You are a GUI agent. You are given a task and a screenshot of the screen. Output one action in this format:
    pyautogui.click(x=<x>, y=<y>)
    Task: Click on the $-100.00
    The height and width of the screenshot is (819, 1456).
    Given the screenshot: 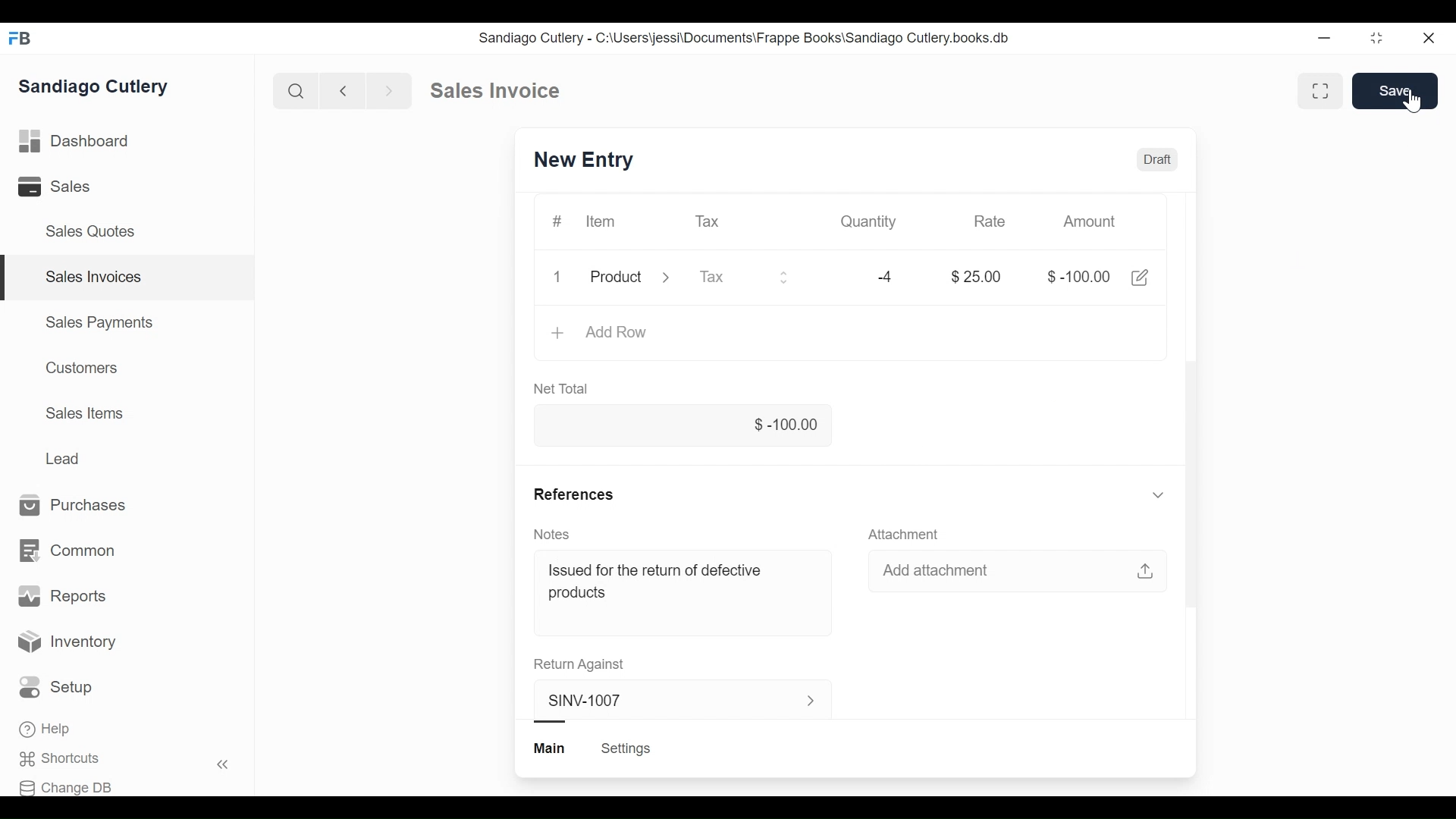 What is the action you would take?
    pyautogui.click(x=682, y=426)
    